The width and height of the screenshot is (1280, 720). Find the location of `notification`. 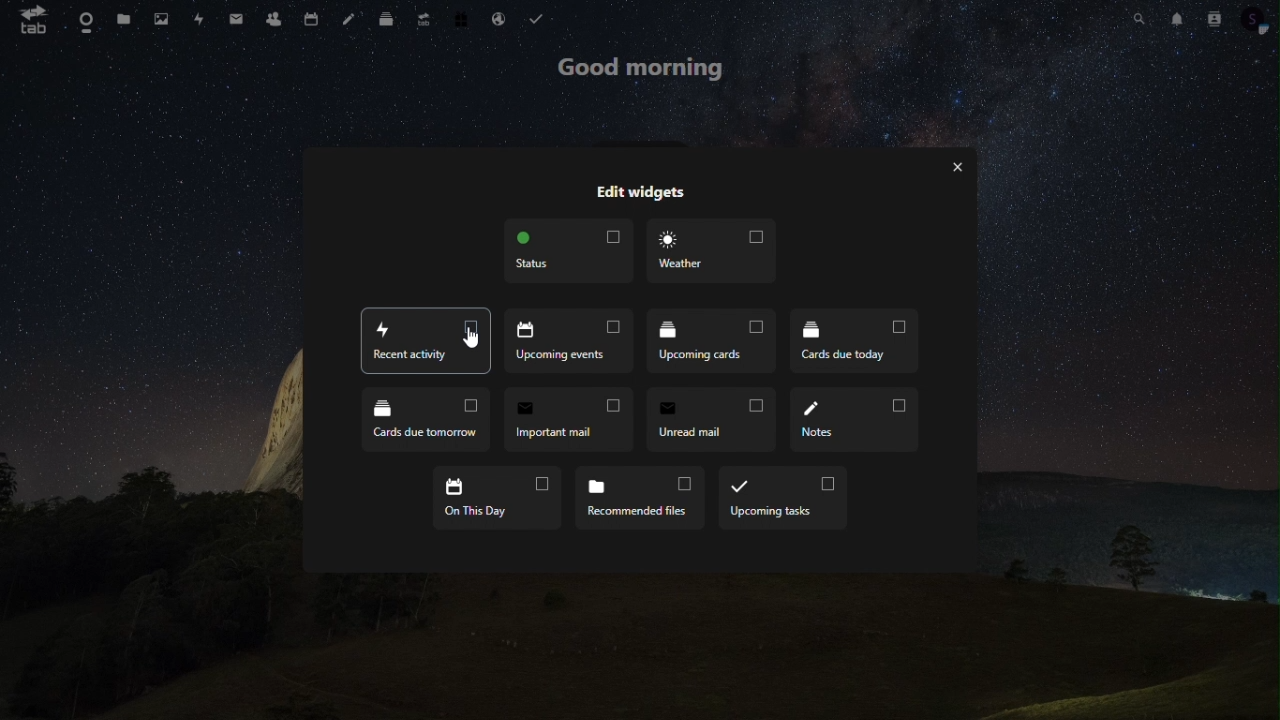

notification is located at coordinates (1175, 18).